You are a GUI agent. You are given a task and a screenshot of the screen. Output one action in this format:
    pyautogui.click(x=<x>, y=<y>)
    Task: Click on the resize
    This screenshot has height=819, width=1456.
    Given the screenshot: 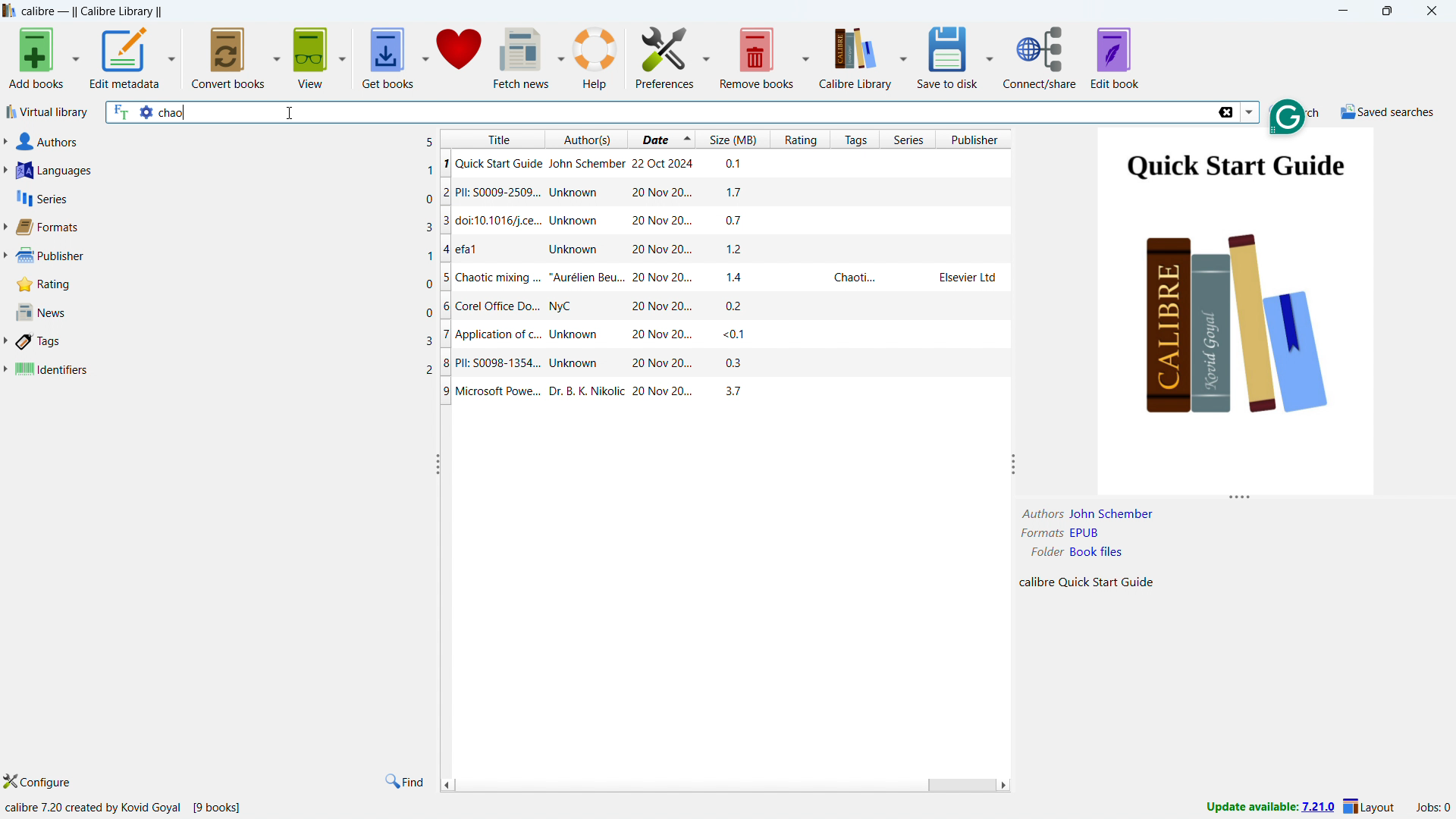 What is the action you would take?
    pyautogui.click(x=1013, y=465)
    